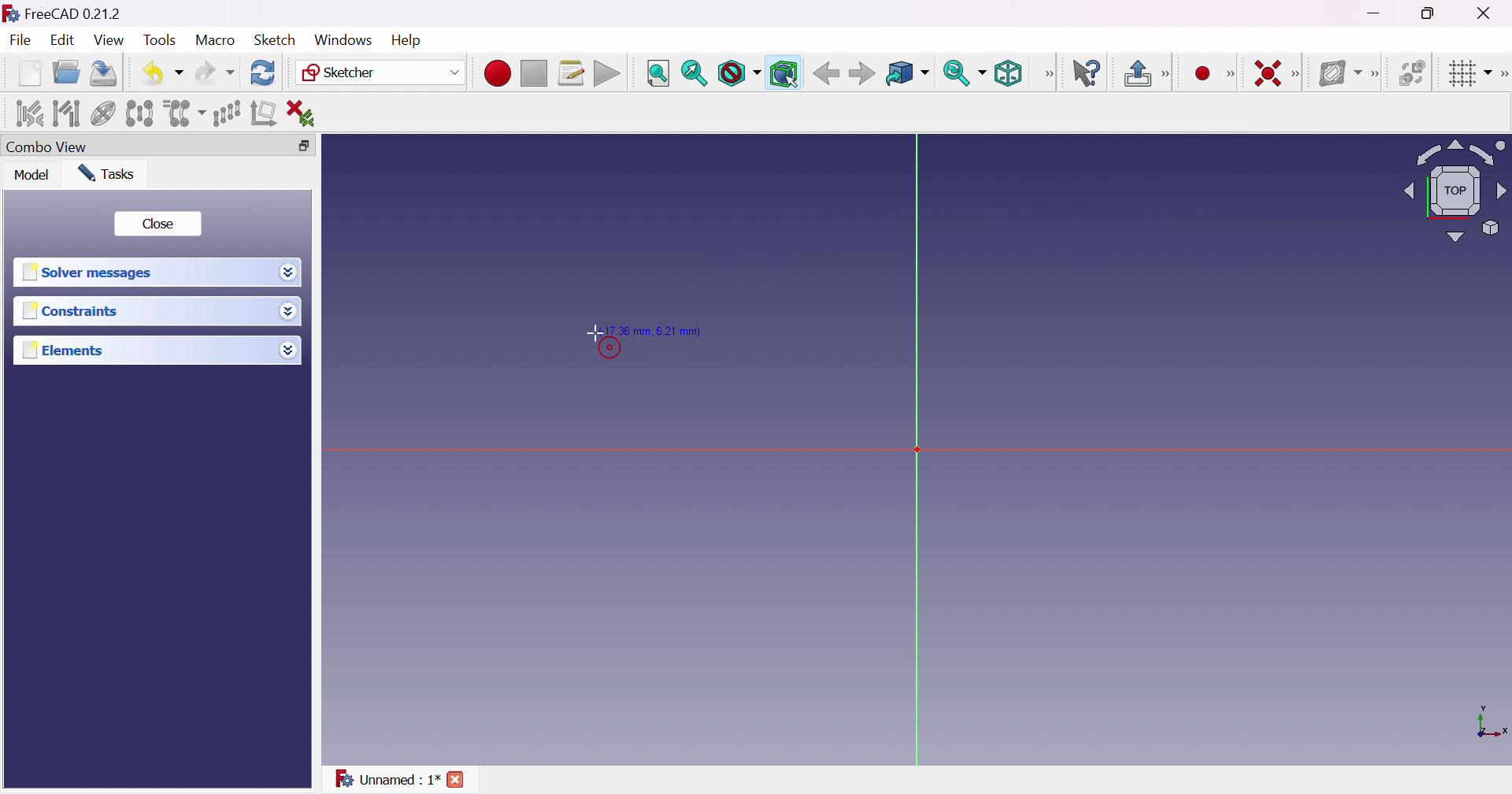 The height and width of the screenshot is (794, 1512). I want to click on Macros..., so click(572, 72).